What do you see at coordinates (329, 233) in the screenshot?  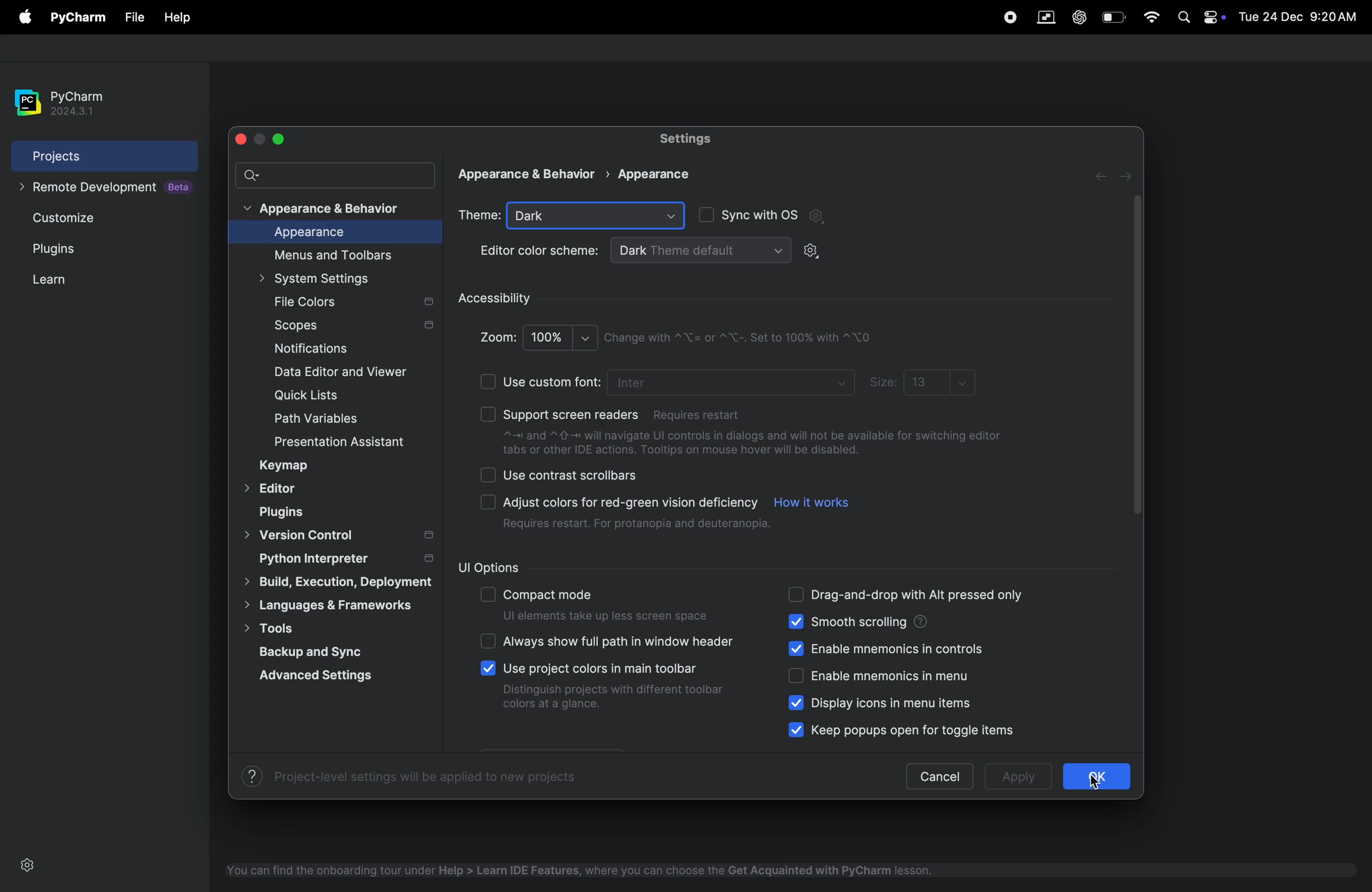 I see `apperance` at bounding box center [329, 233].